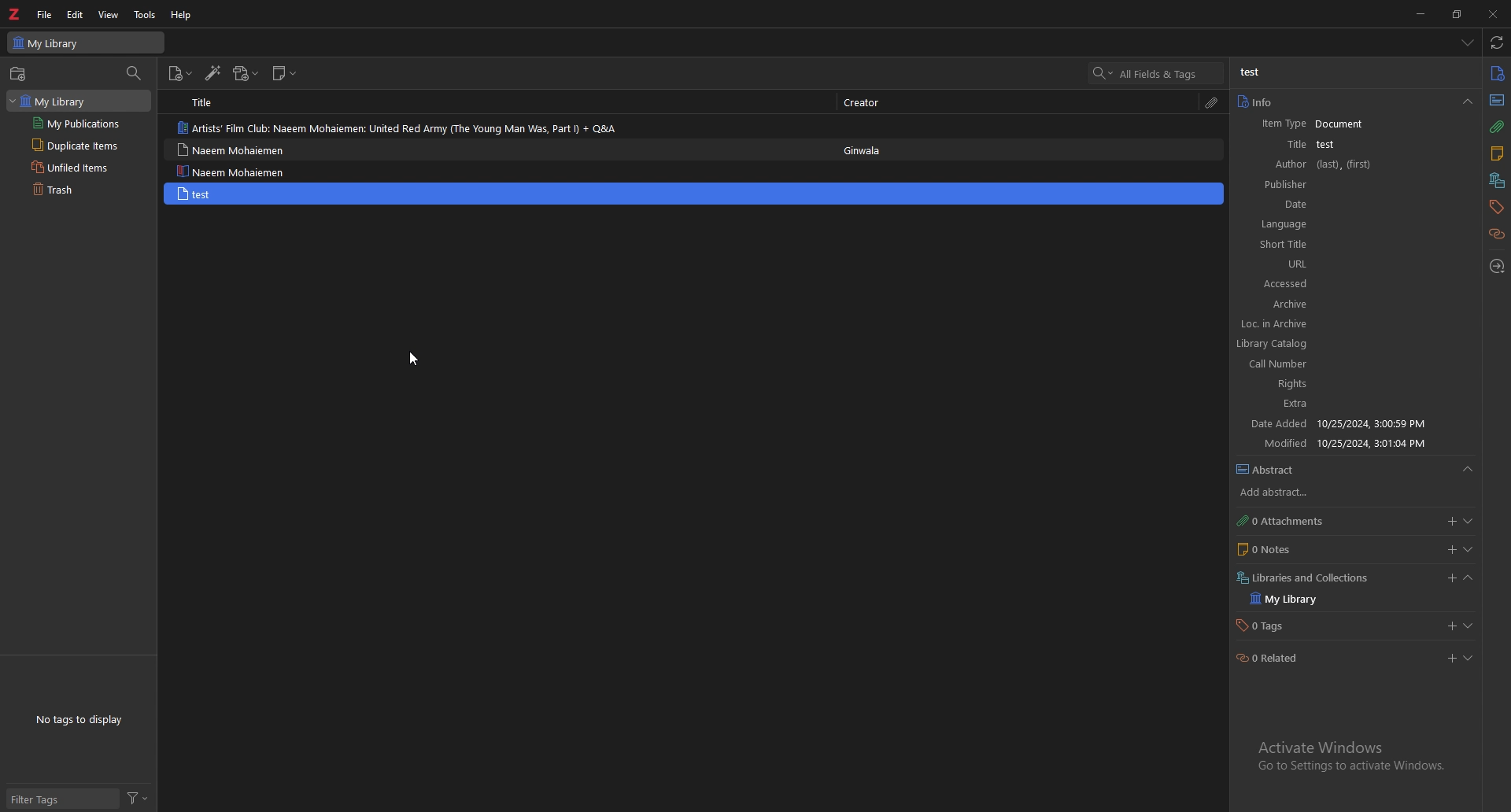 Image resolution: width=1511 pixels, height=812 pixels. What do you see at coordinates (1293, 601) in the screenshot?
I see `My library` at bounding box center [1293, 601].